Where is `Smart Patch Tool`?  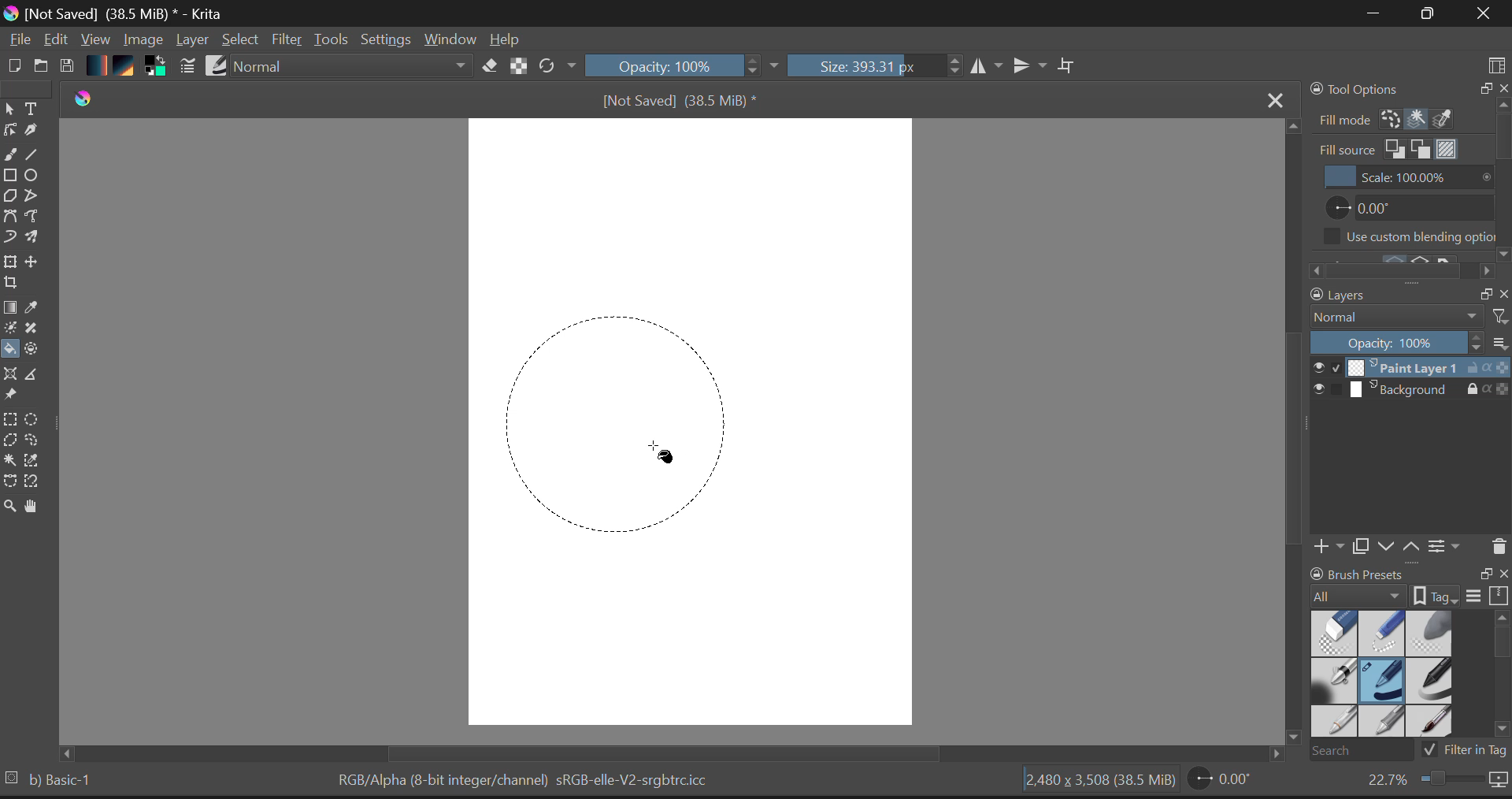 Smart Patch Tool is located at coordinates (34, 331).